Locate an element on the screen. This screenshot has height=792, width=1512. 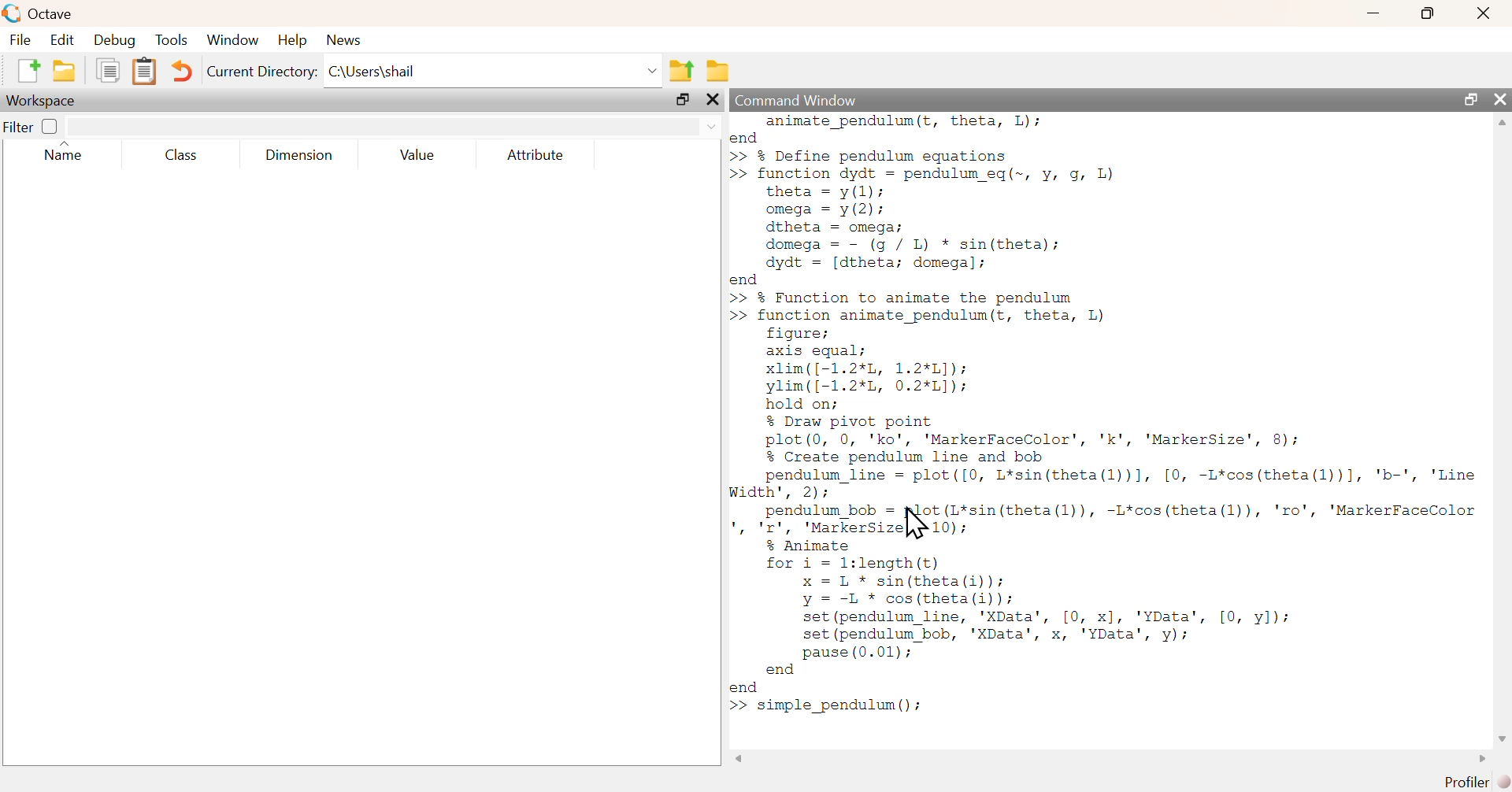
paste is located at coordinates (146, 72).